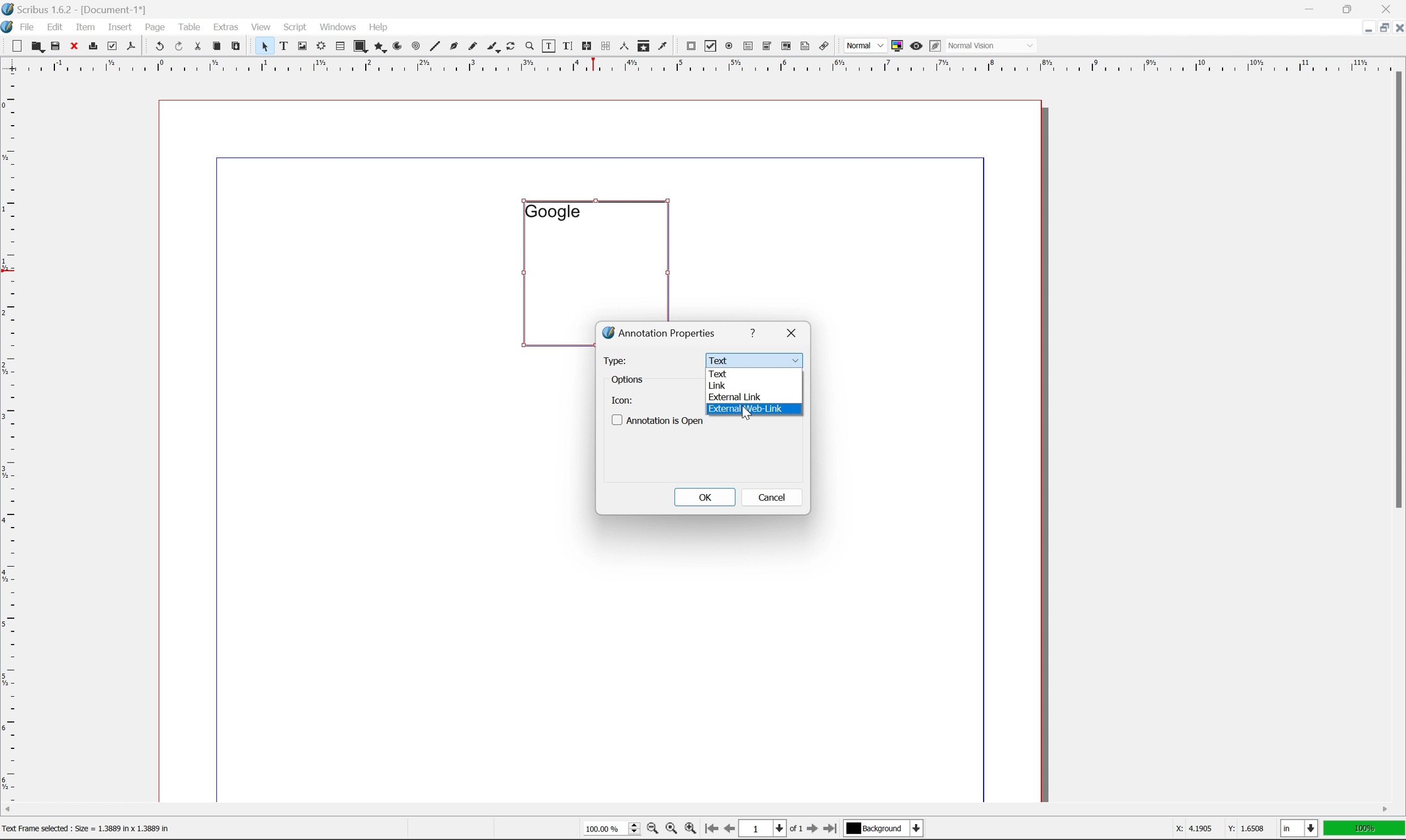 This screenshot has height=840, width=1406. What do you see at coordinates (746, 47) in the screenshot?
I see `pdf text field` at bounding box center [746, 47].